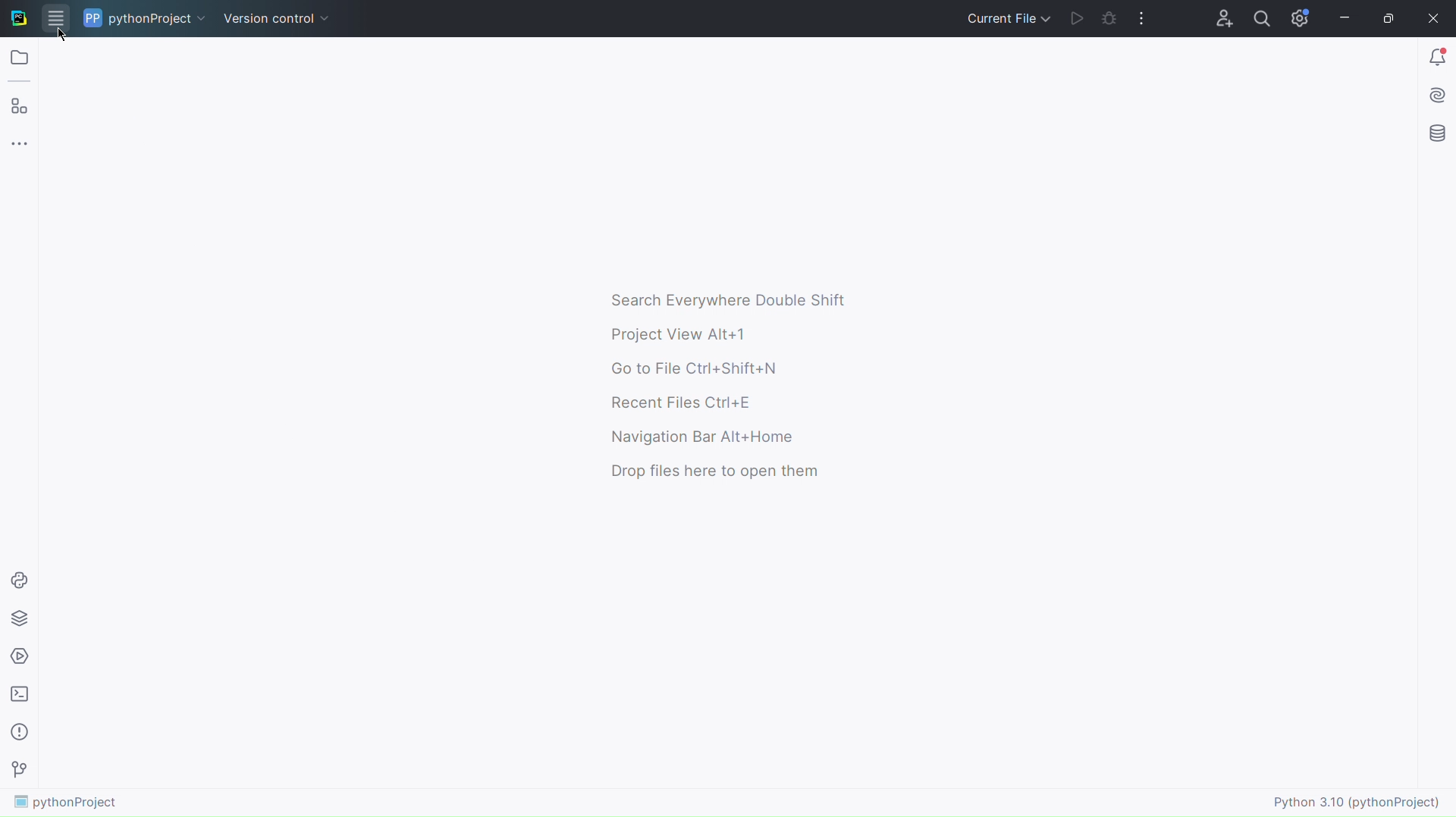 This screenshot has height=817, width=1456. Describe the element at coordinates (714, 470) in the screenshot. I see `Drop files here to open them` at that location.